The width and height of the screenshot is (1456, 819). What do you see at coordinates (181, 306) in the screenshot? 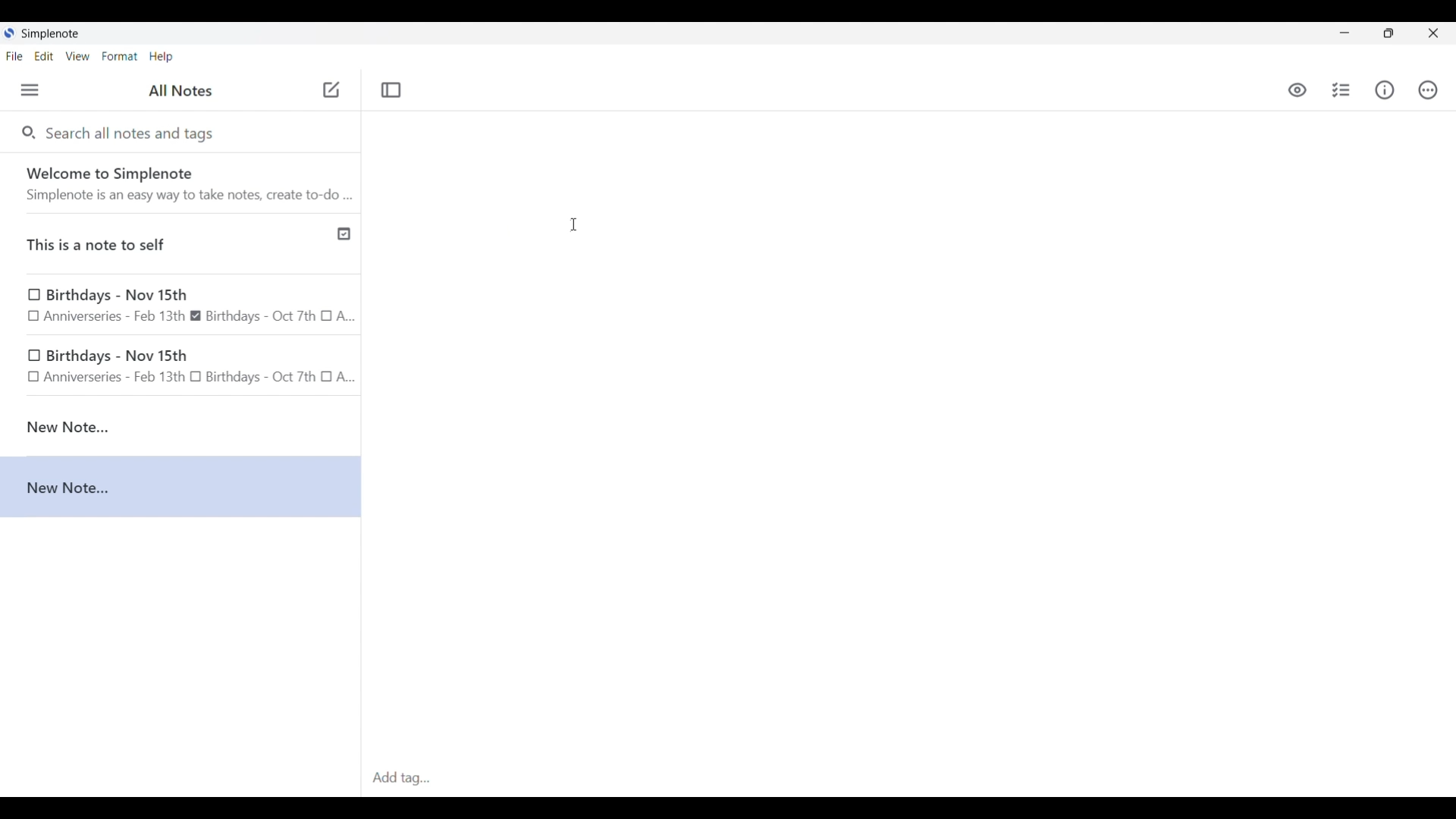
I see `Birthday note` at bounding box center [181, 306].